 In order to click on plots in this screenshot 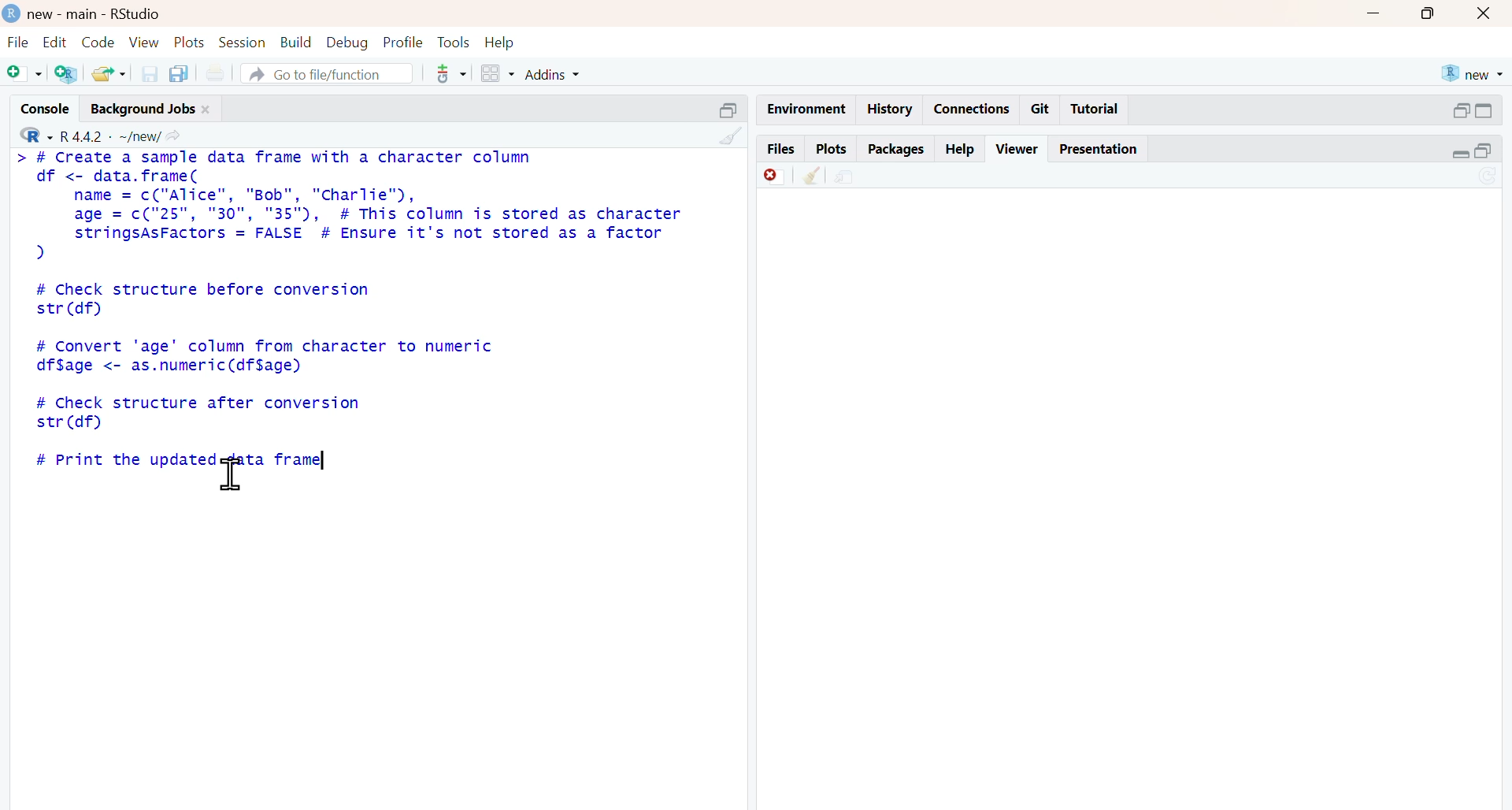, I will do `click(189, 43)`.